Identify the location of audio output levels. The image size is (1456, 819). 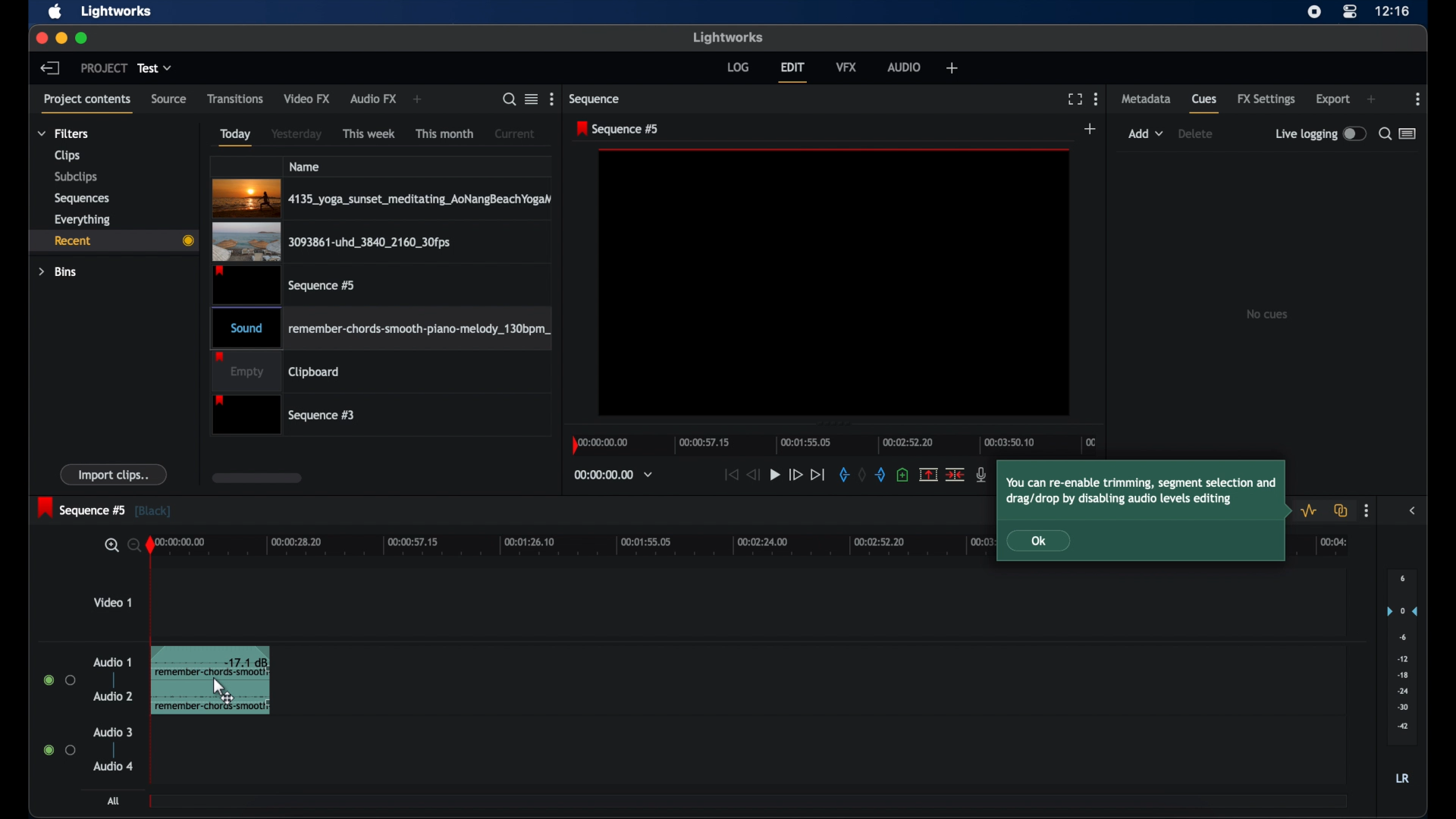
(1401, 655).